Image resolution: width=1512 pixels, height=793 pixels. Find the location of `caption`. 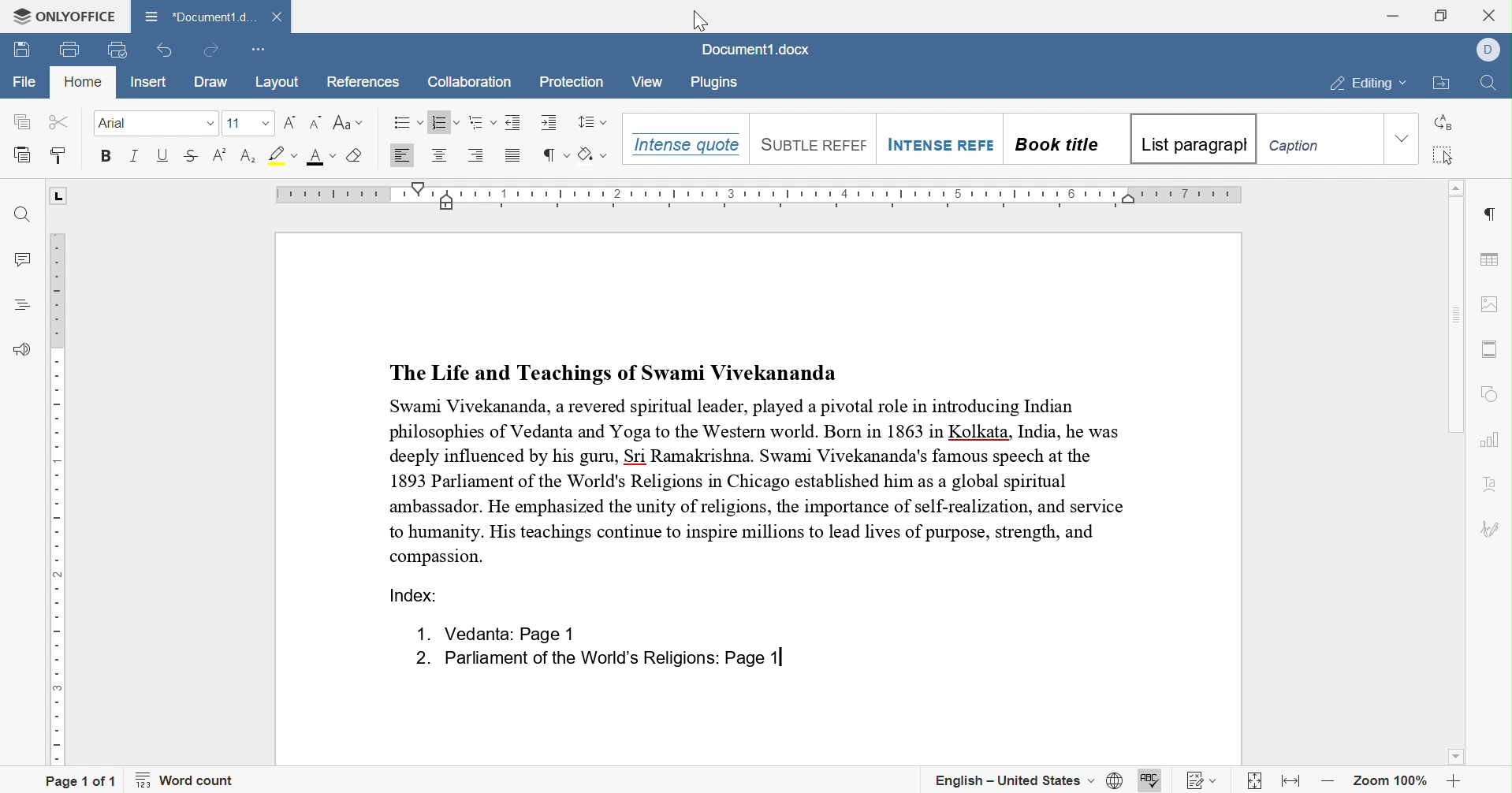

caption is located at coordinates (1319, 140).